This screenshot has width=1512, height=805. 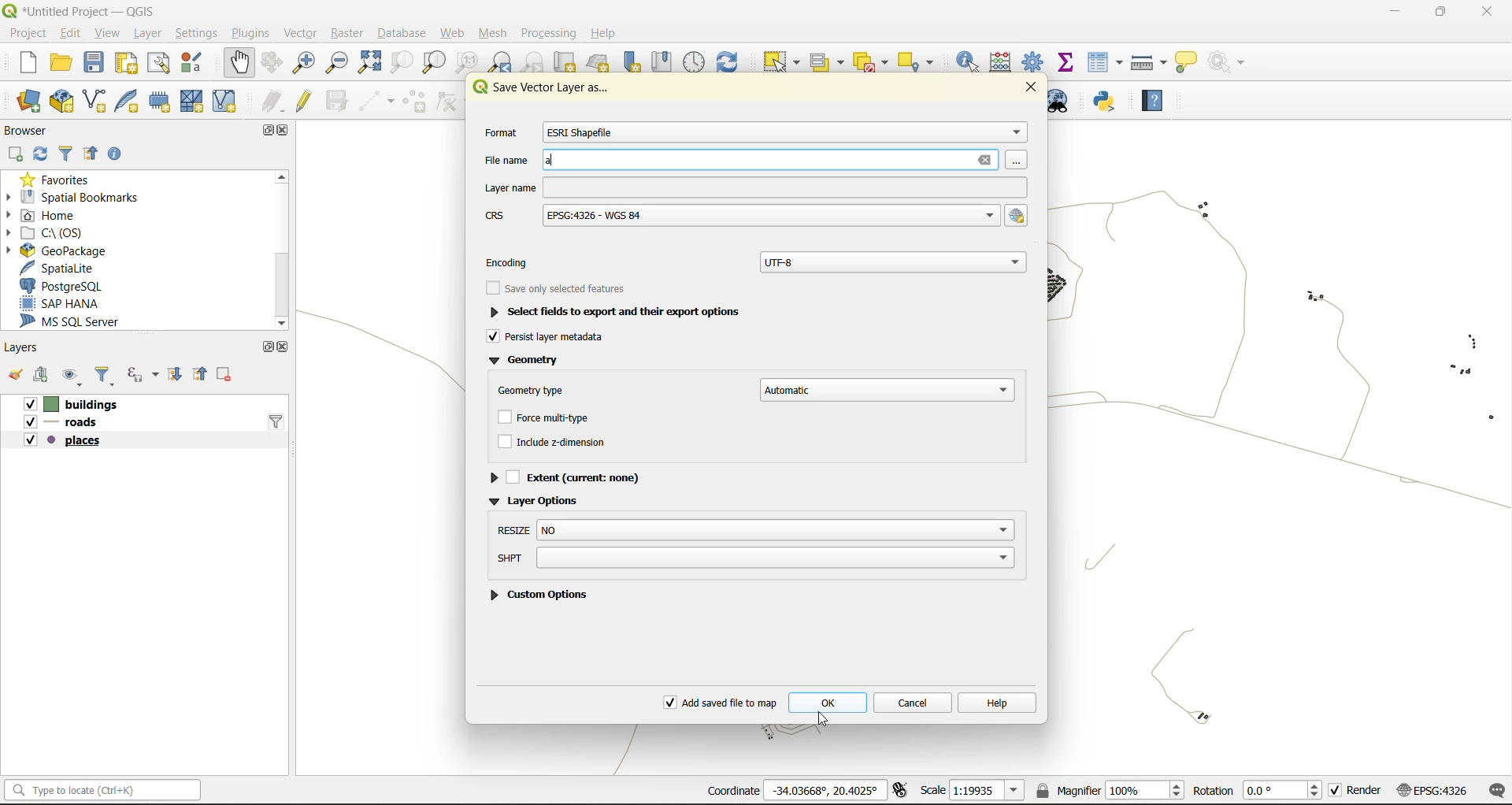 I want to click on no action, so click(x=1233, y=63).